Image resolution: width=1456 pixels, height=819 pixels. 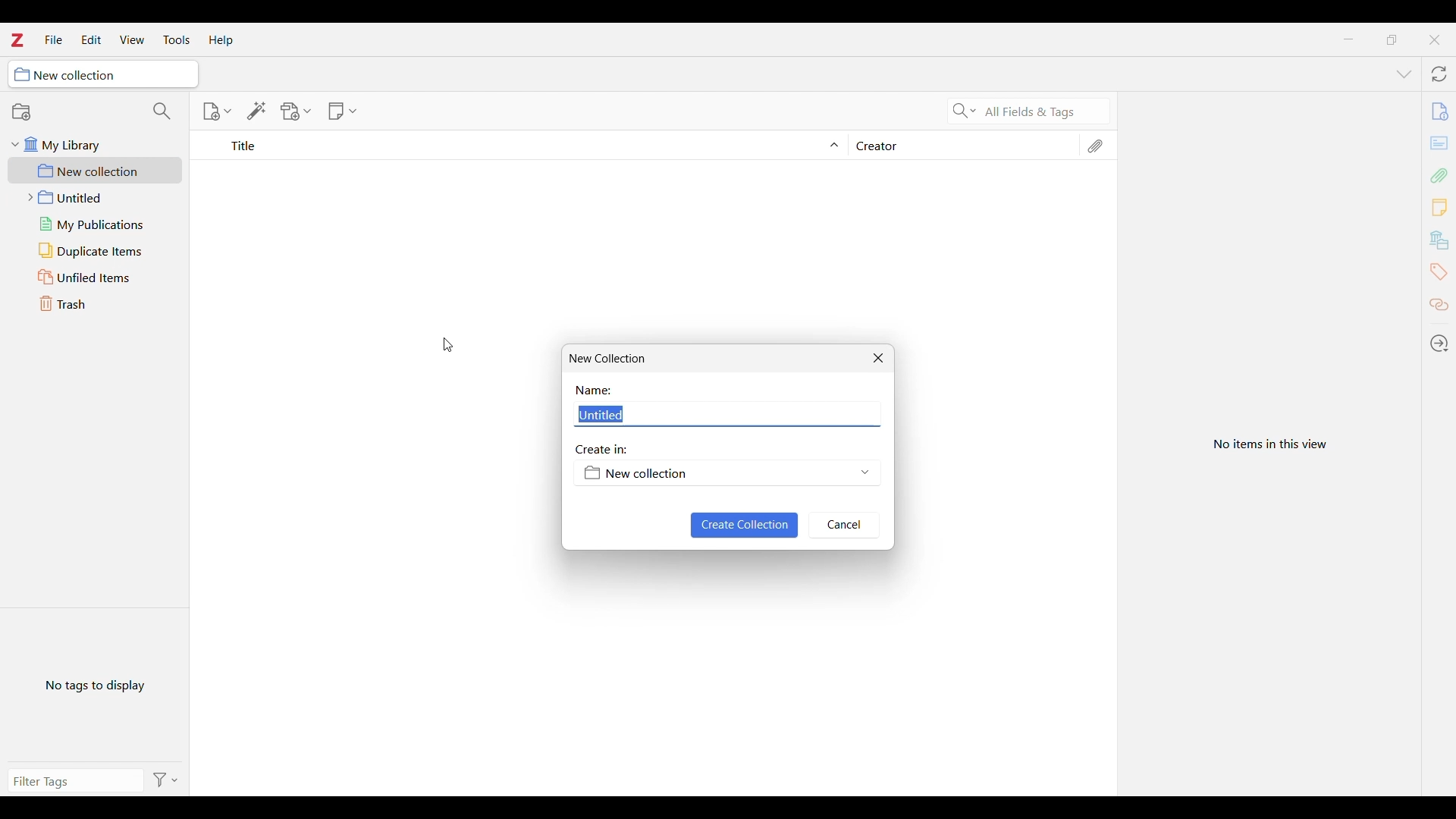 What do you see at coordinates (296, 111) in the screenshot?
I see `Add file options` at bounding box center [296, 111].